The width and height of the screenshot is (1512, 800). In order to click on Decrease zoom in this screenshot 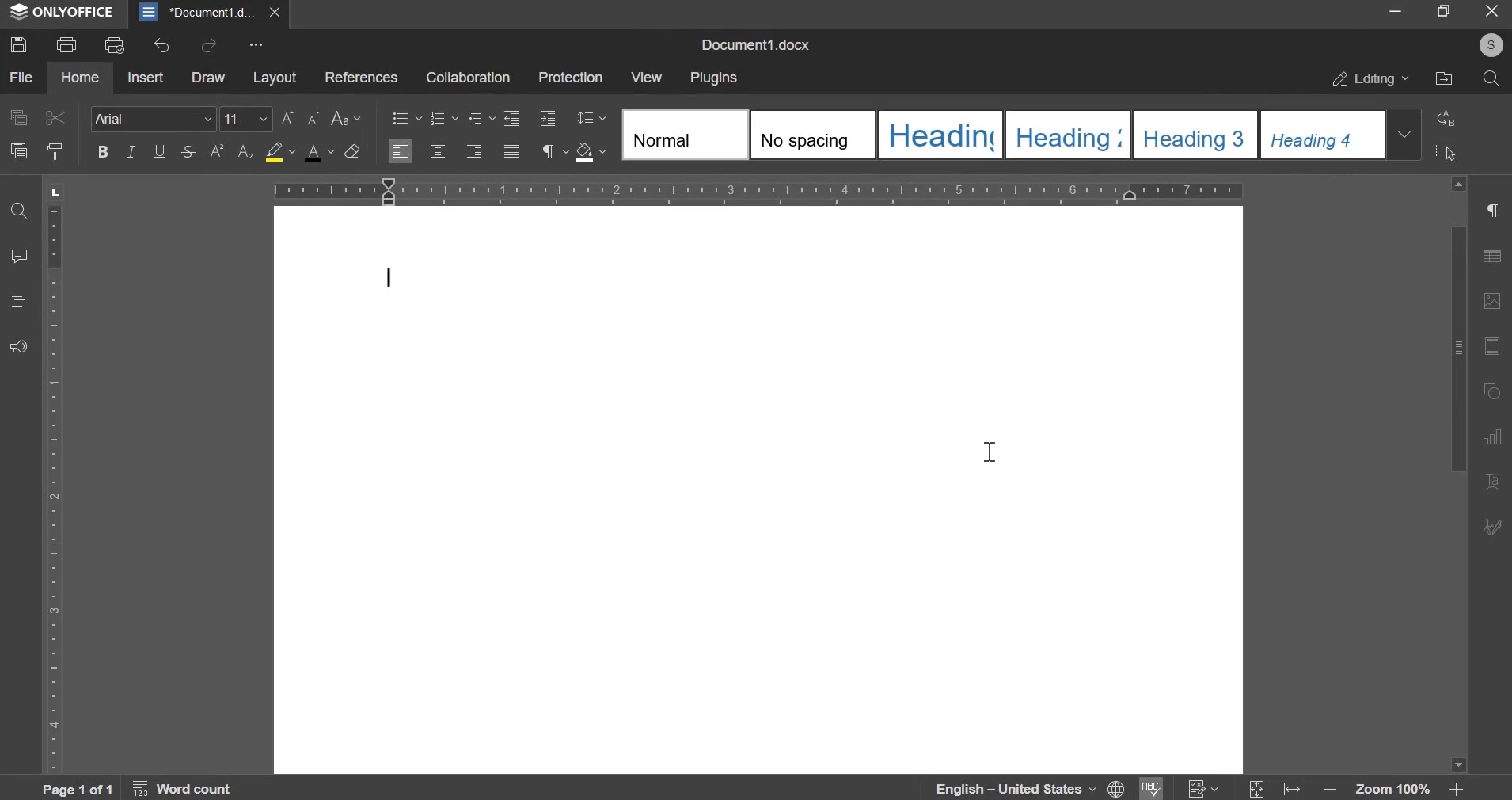, I will do `click(1330, 789)`.